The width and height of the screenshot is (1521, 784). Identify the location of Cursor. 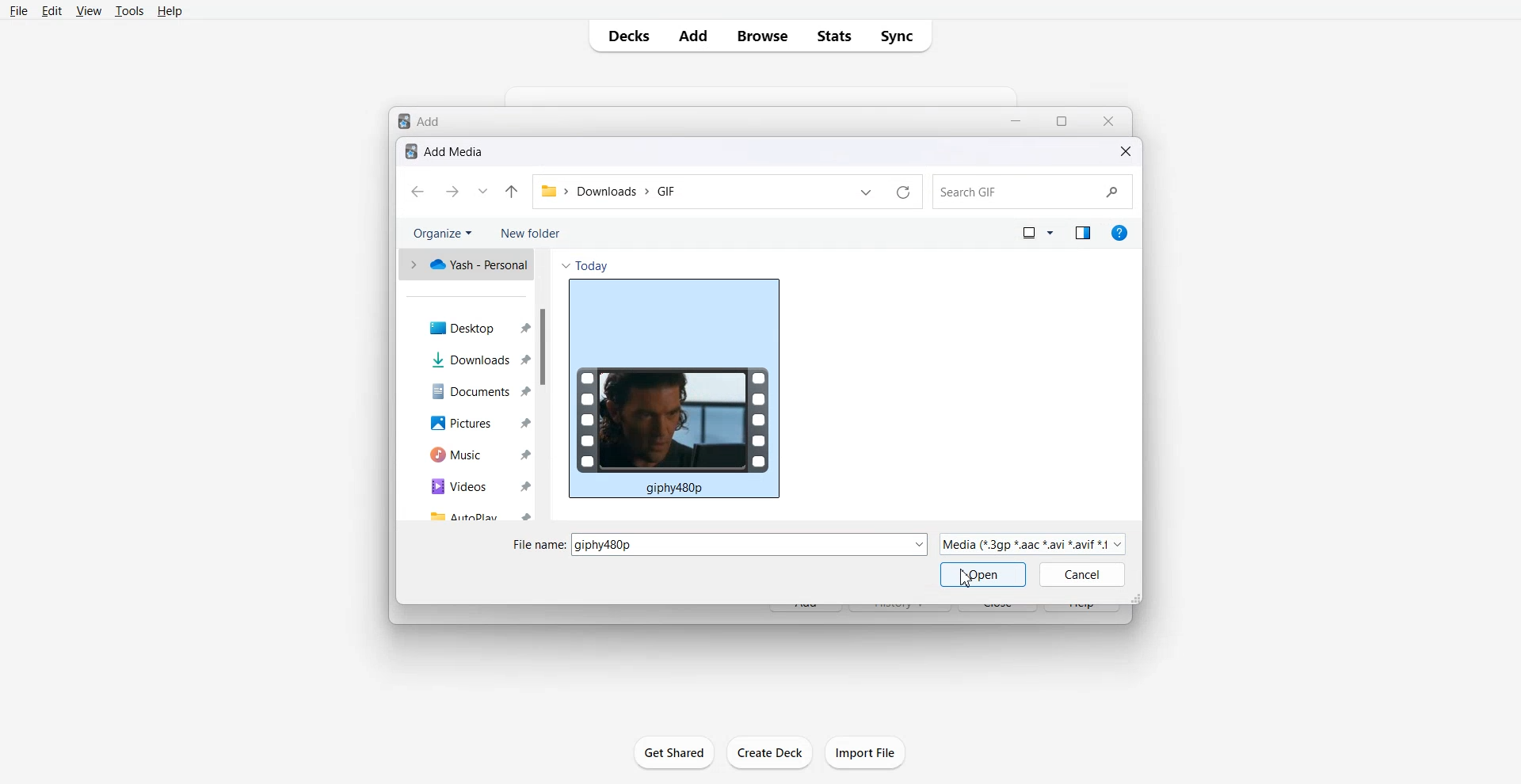
(967, 578).